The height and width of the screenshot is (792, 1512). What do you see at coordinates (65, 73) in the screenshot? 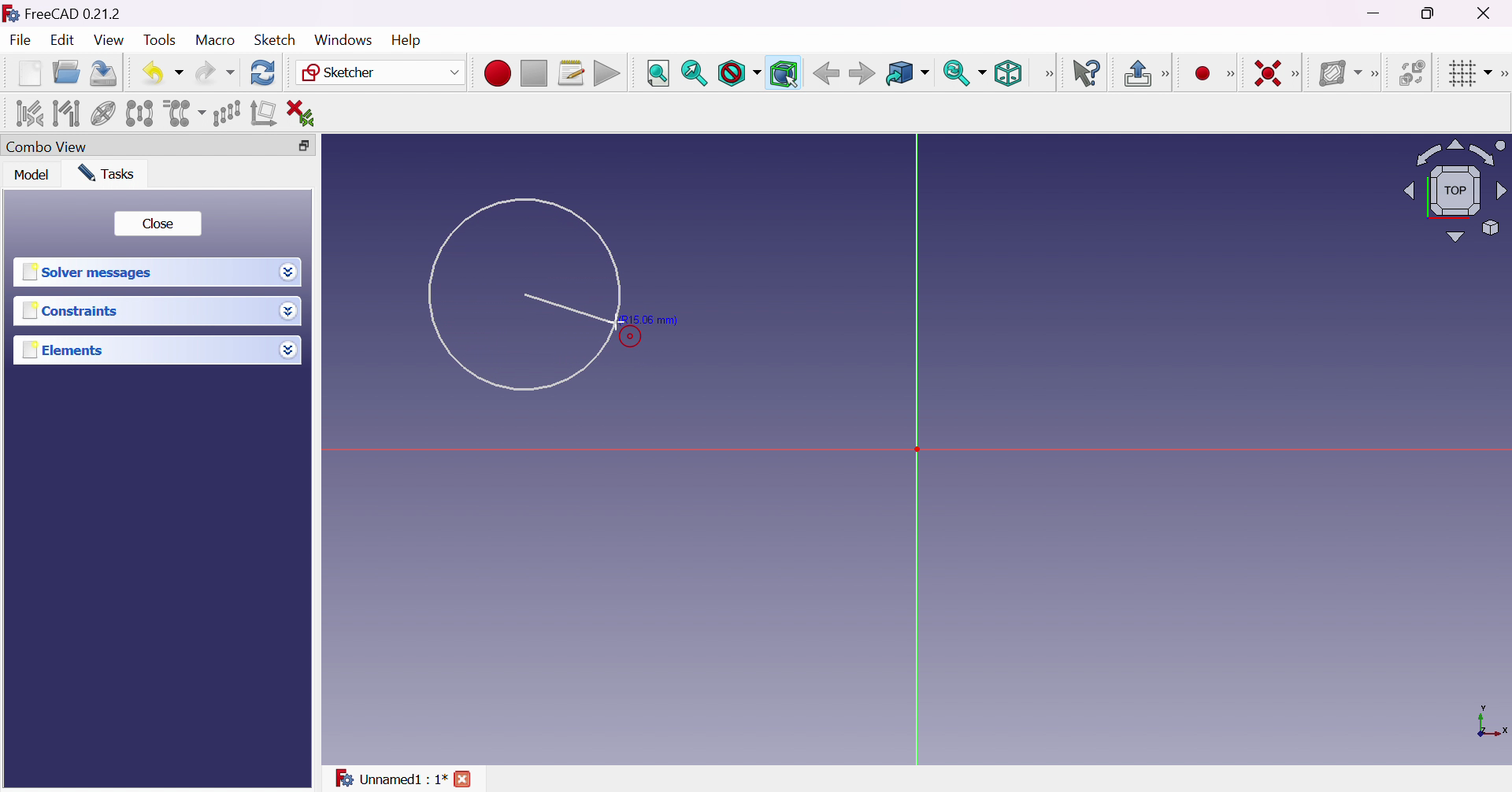
I see `Open...` at bounding box center [65, 73].